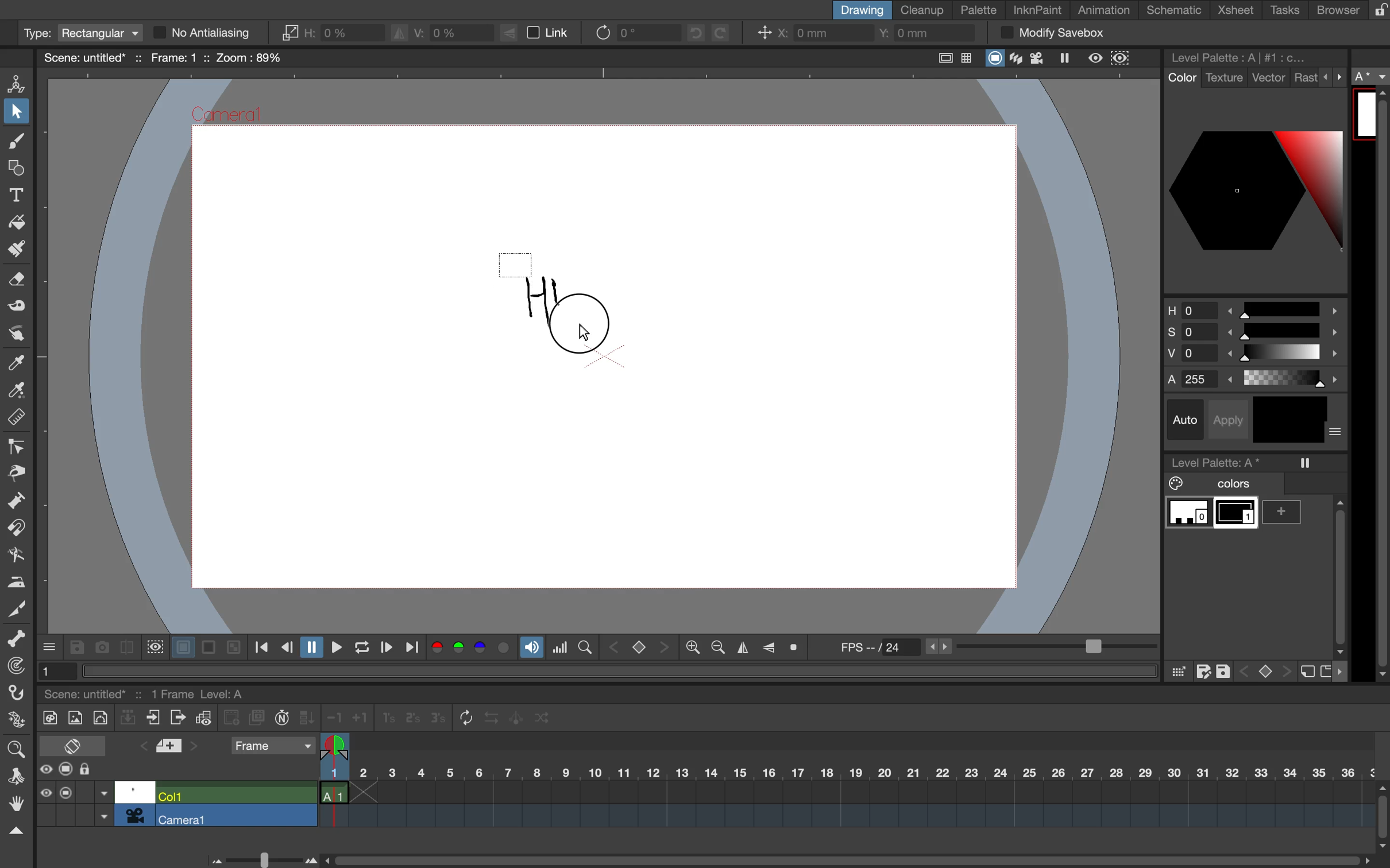  I want to click on switch between keys, so click(638, 646).